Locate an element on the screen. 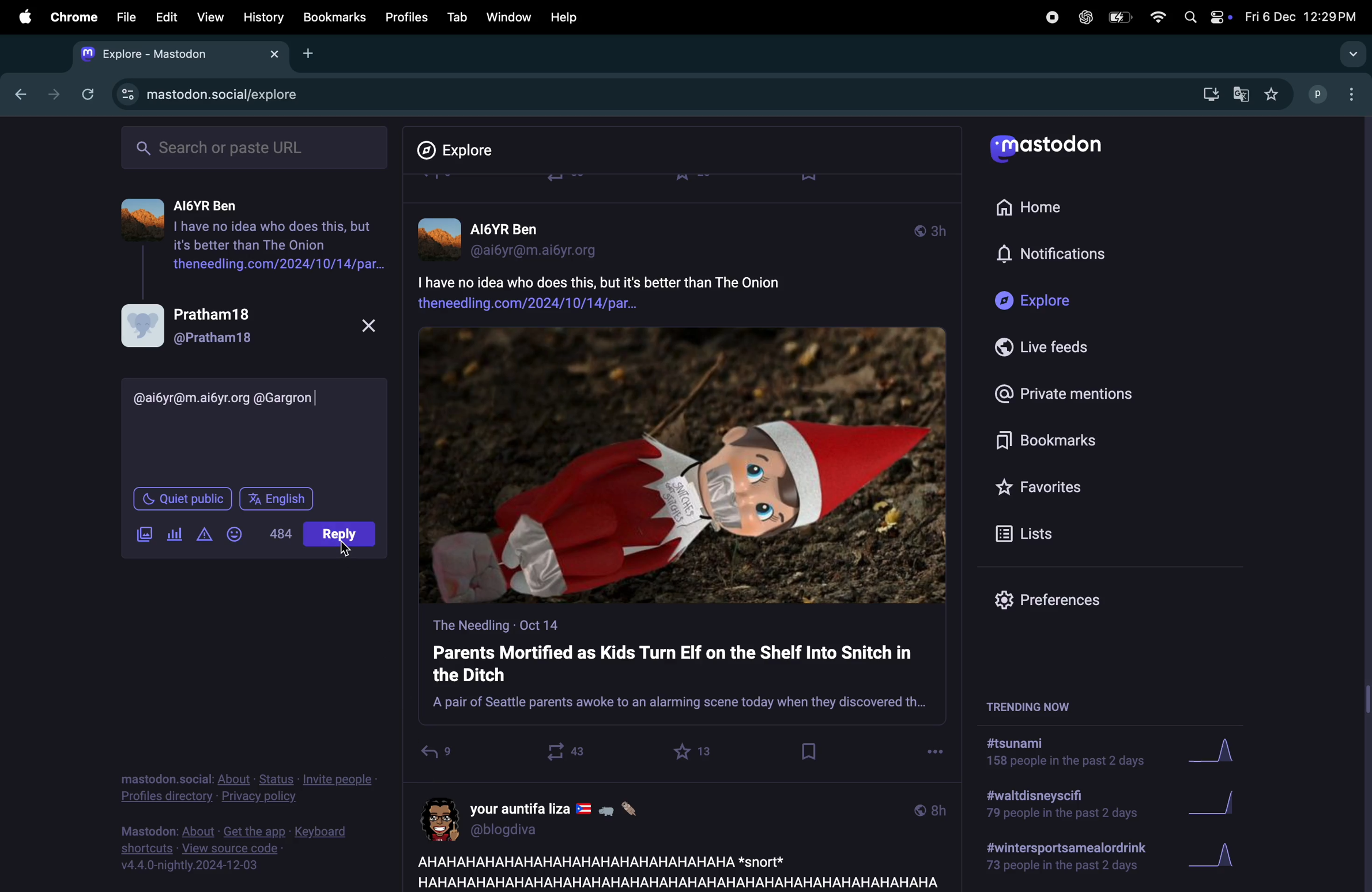 The width and height of the screenshot is (1372, 892). chatgpt is located at coordinates (1084, 17).